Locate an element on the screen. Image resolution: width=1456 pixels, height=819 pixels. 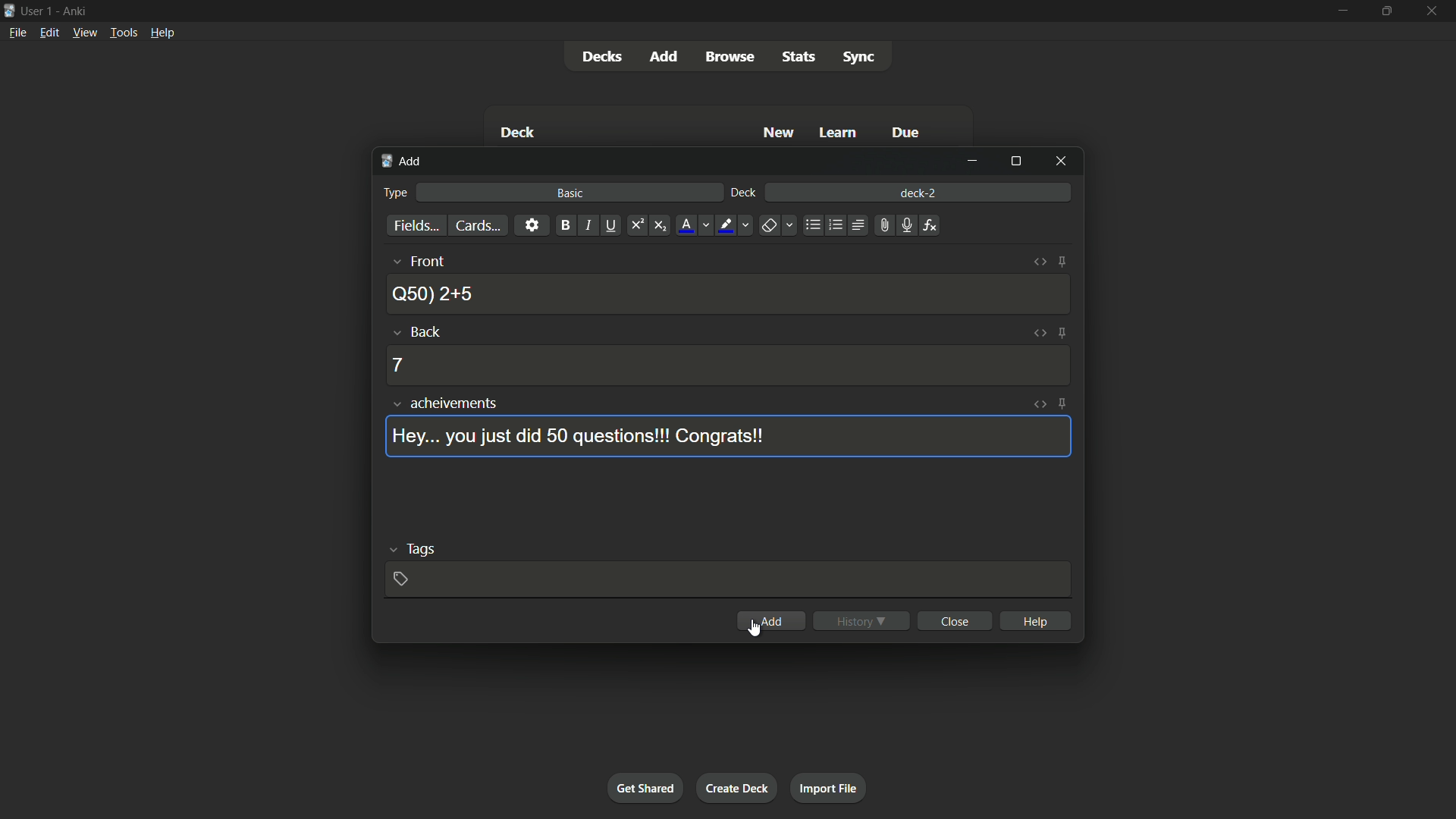
sync is located at coordinates (861, 58).